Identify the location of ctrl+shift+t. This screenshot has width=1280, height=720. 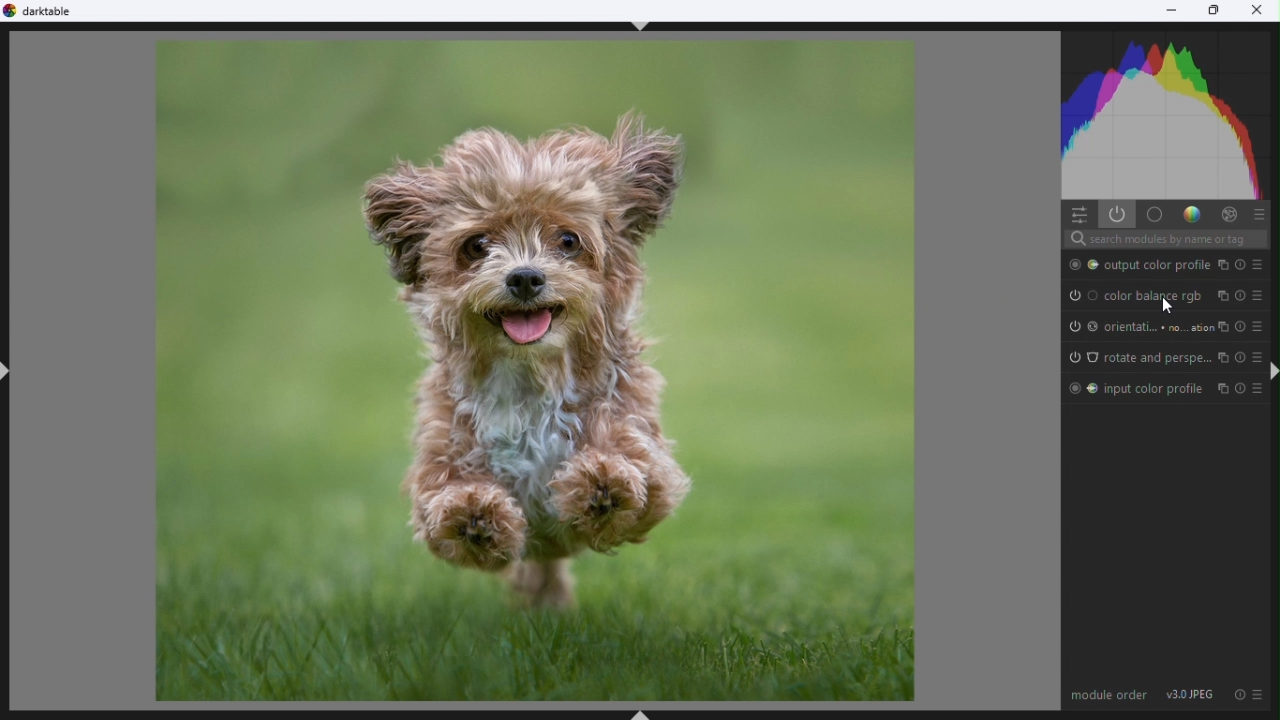
(646, 30).